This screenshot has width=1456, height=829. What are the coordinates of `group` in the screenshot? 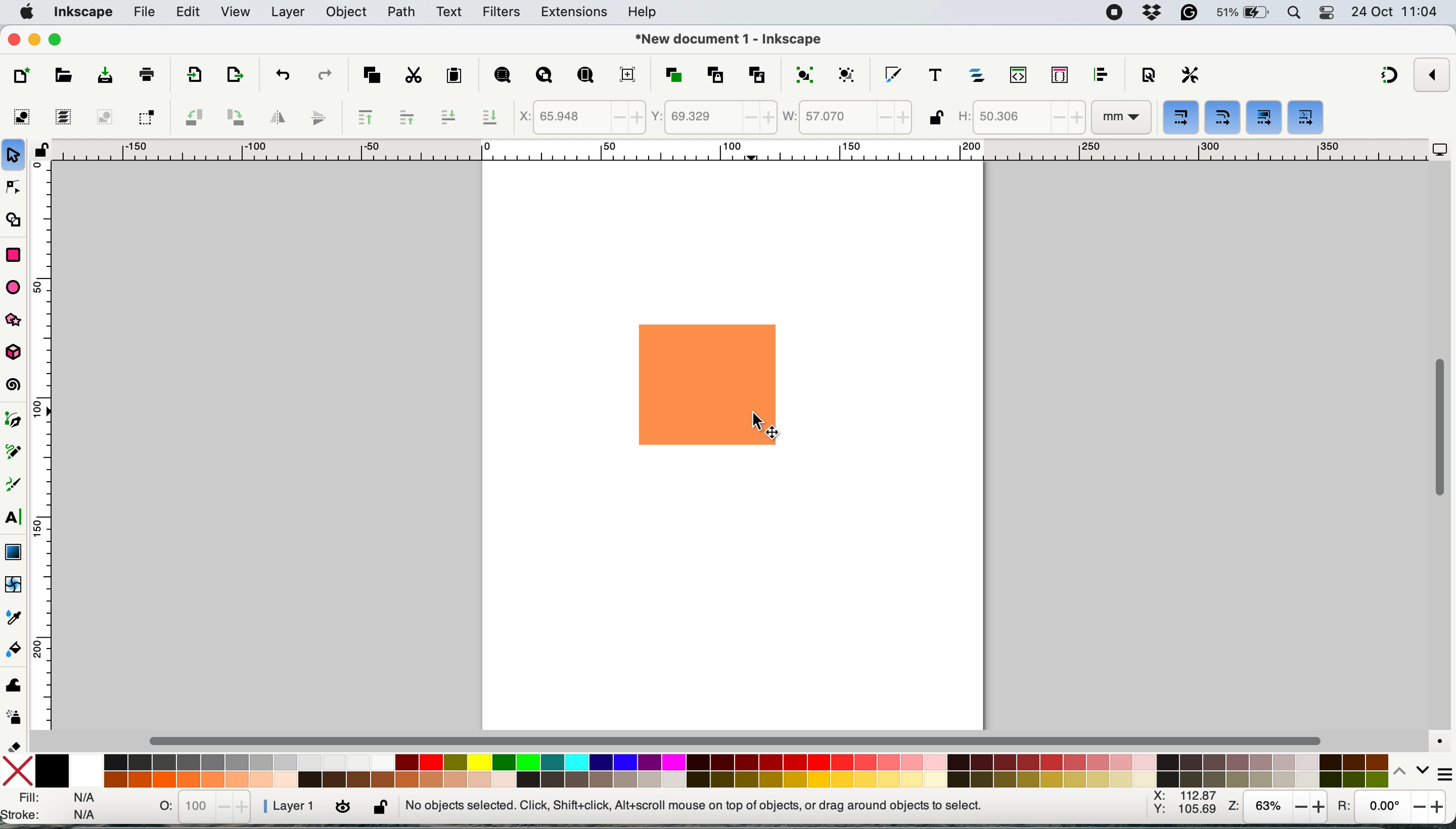 It's located at (803, 73).